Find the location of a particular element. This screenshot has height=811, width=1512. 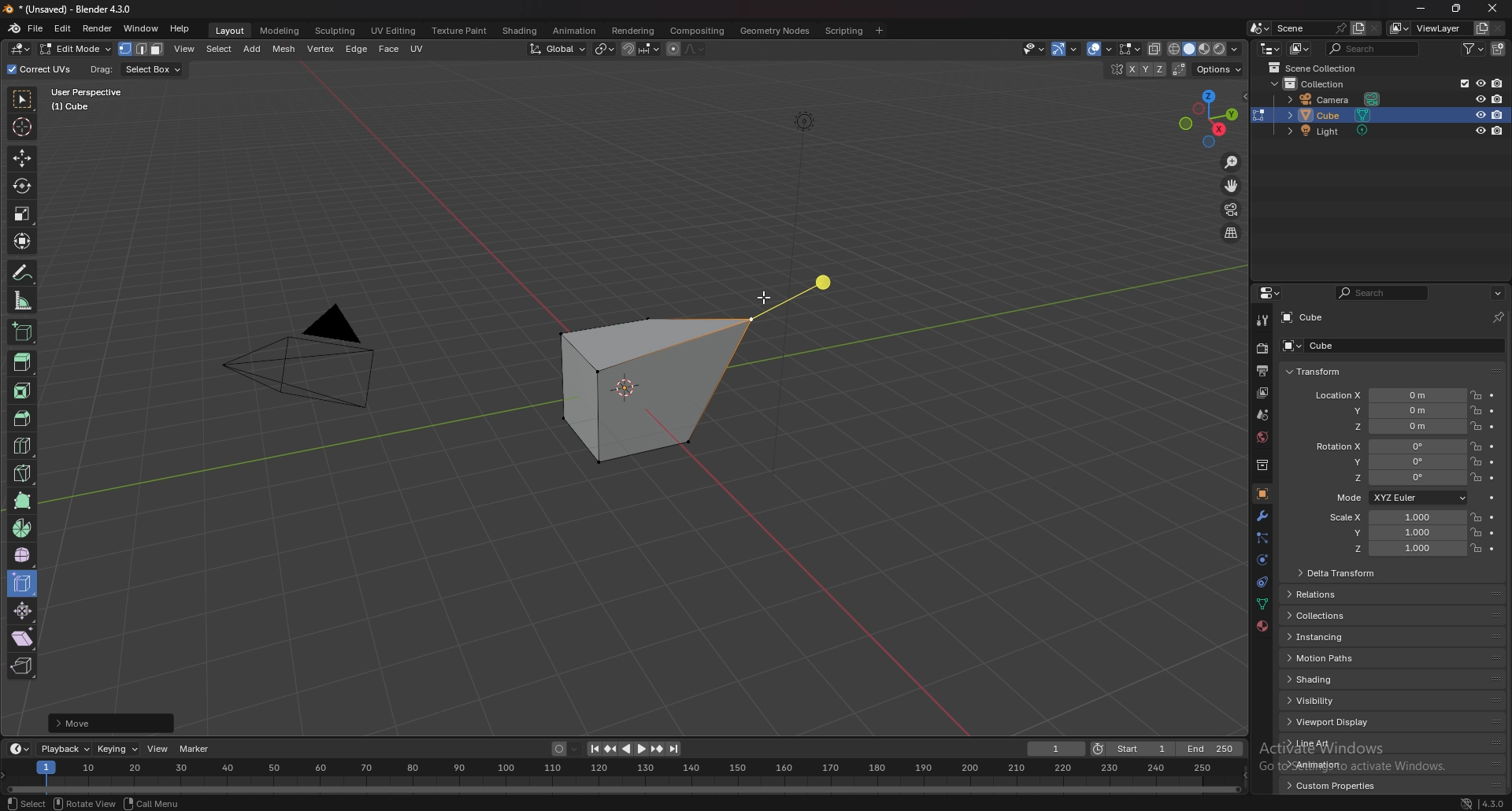

lock is located at coordinates (1476, 531).